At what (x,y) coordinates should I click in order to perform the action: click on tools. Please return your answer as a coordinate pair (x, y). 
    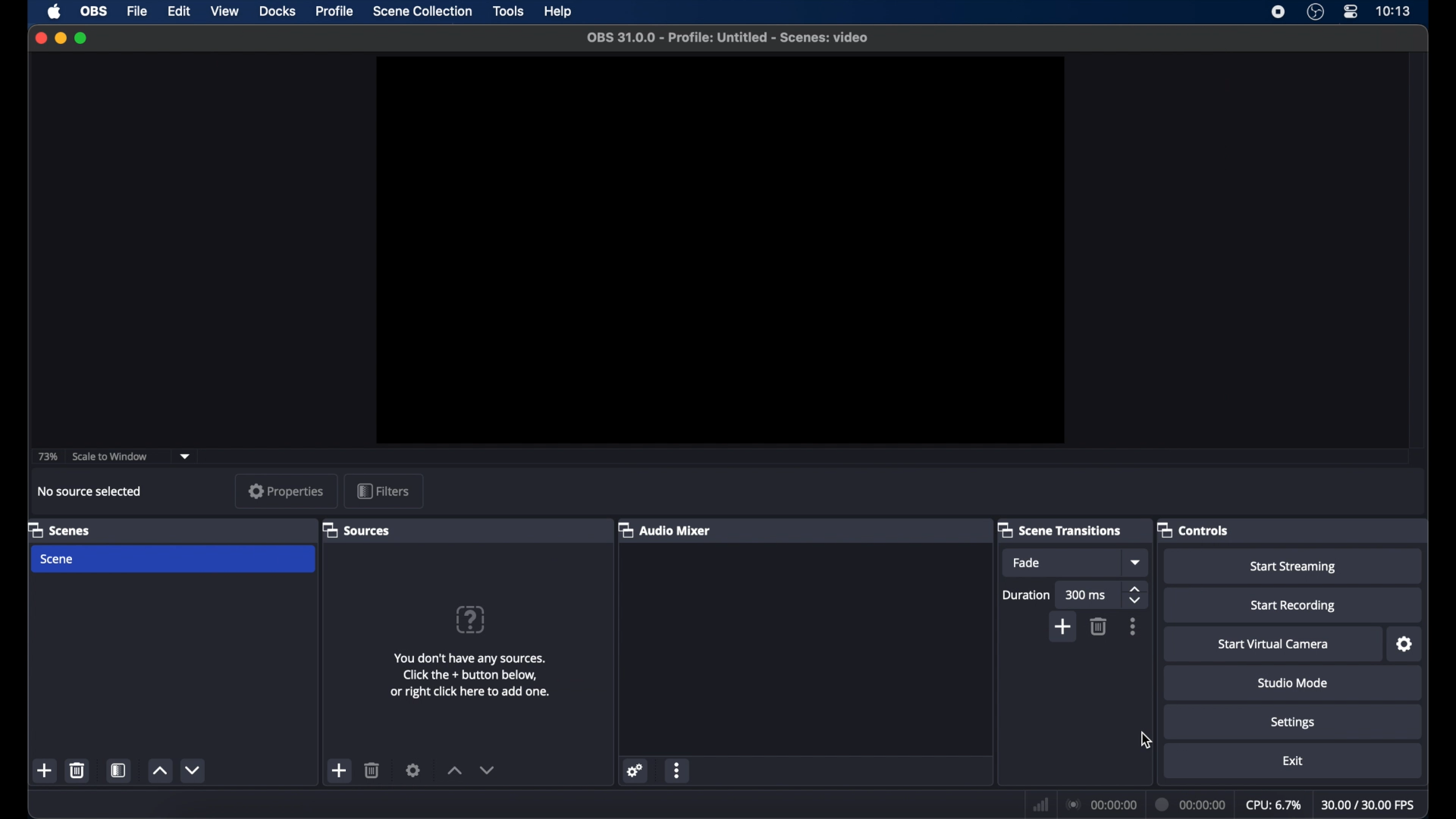
    Looking at the image, I should click on (509, 11).